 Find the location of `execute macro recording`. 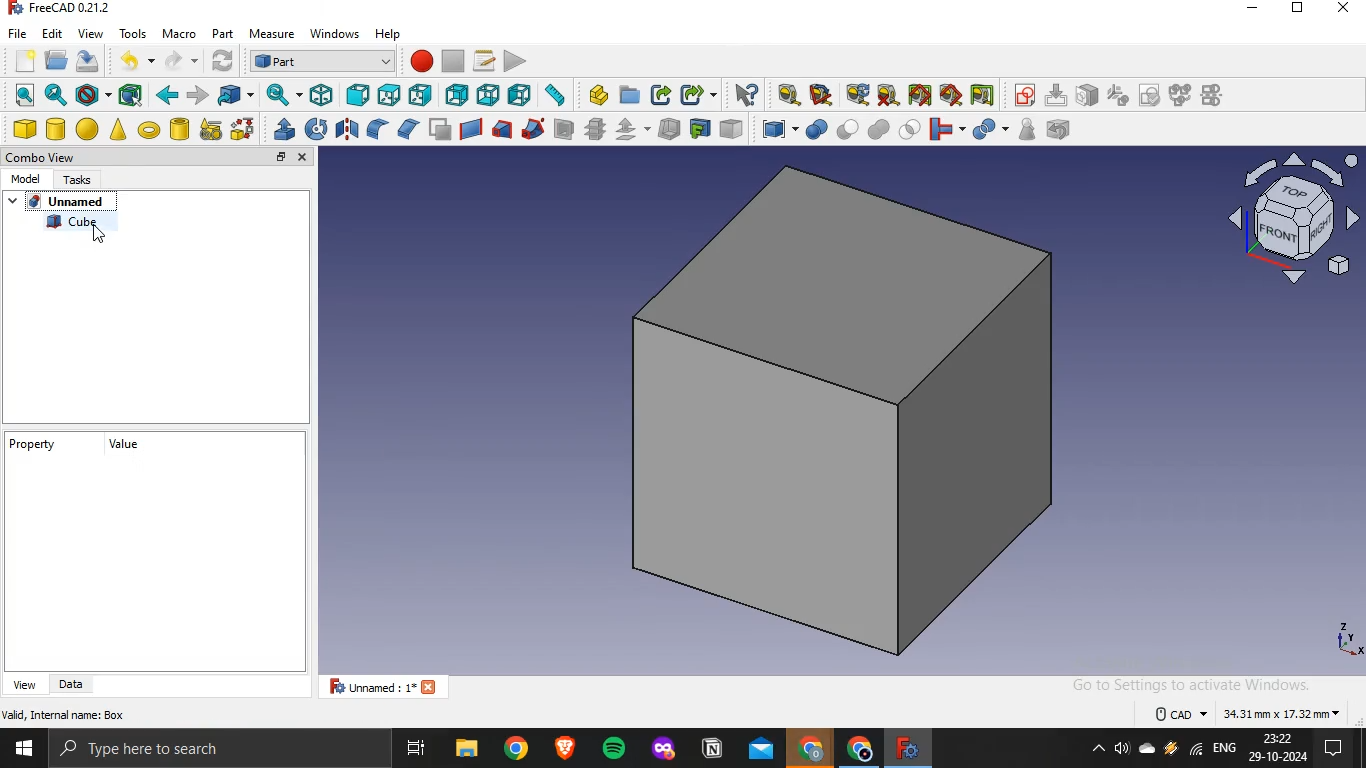

execute macro recording is located at coordinates (516, 60).